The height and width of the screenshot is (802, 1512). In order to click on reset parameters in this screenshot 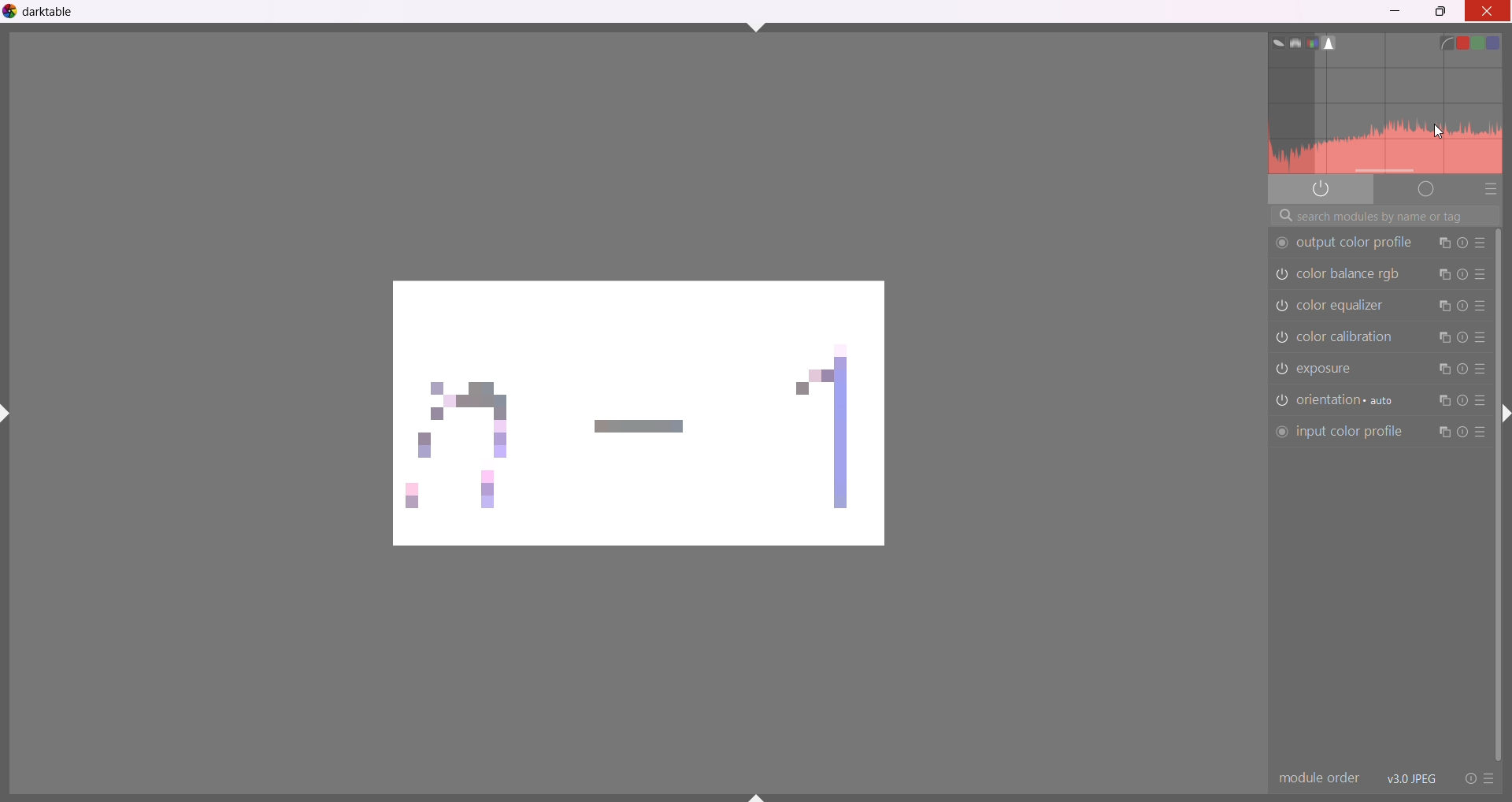, I will do `click(1462, 243)`.